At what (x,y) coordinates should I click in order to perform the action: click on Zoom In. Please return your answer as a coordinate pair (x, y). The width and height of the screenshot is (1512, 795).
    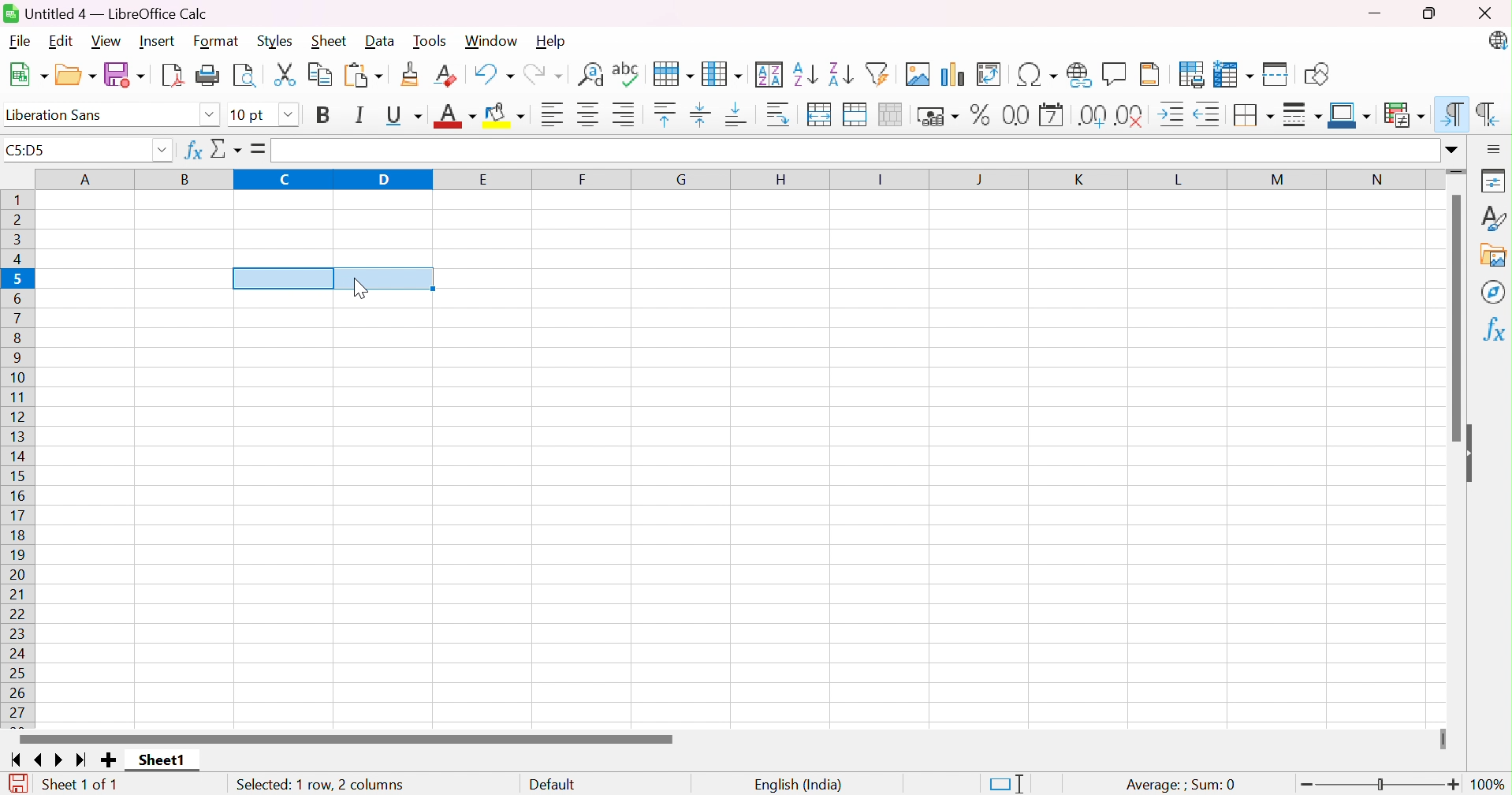
    Looking at the image, I should click on (1454, 785).